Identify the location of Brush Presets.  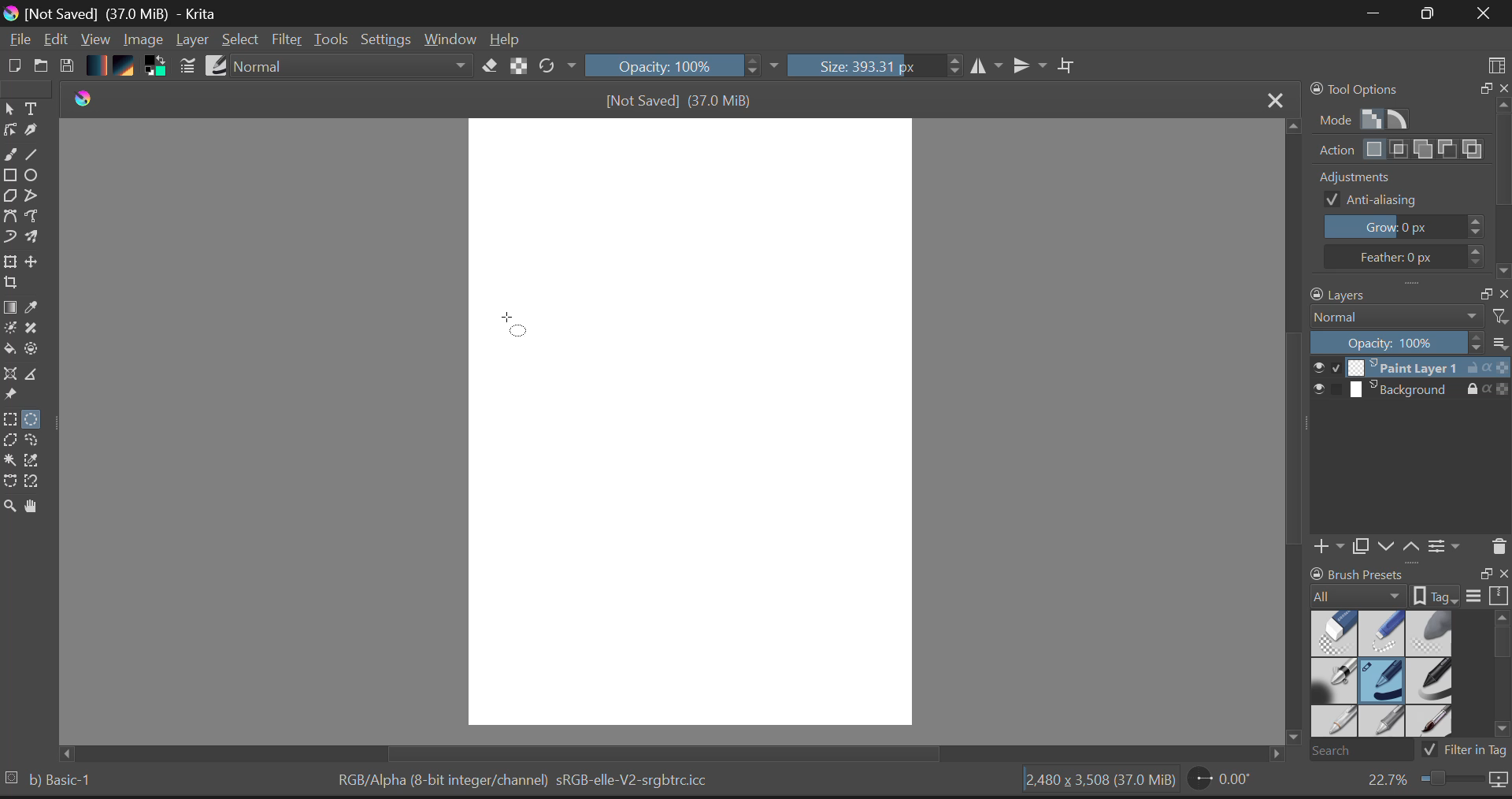
(218, 65).